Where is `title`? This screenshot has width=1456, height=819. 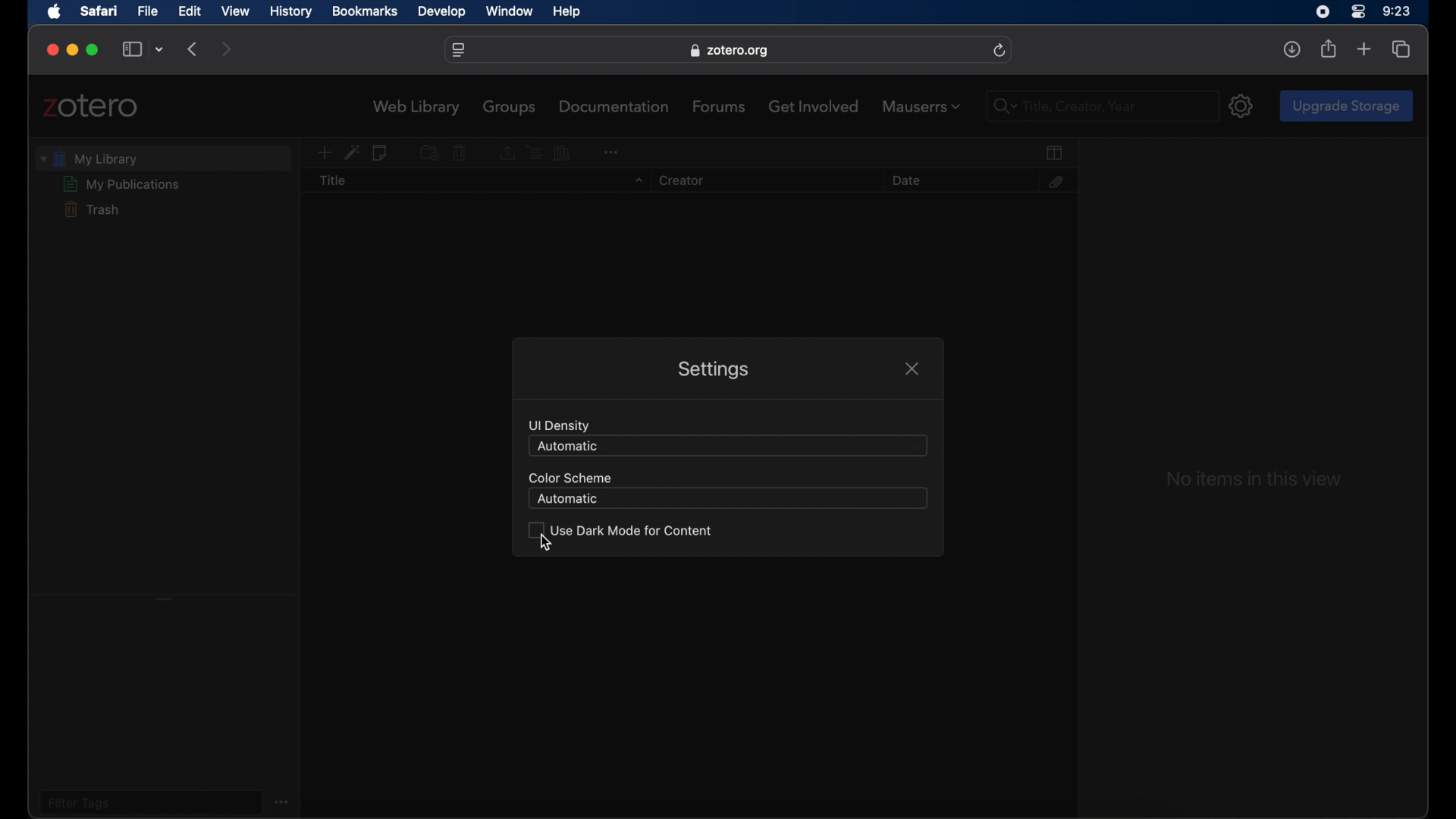 title is located at coordinates (333, 181).